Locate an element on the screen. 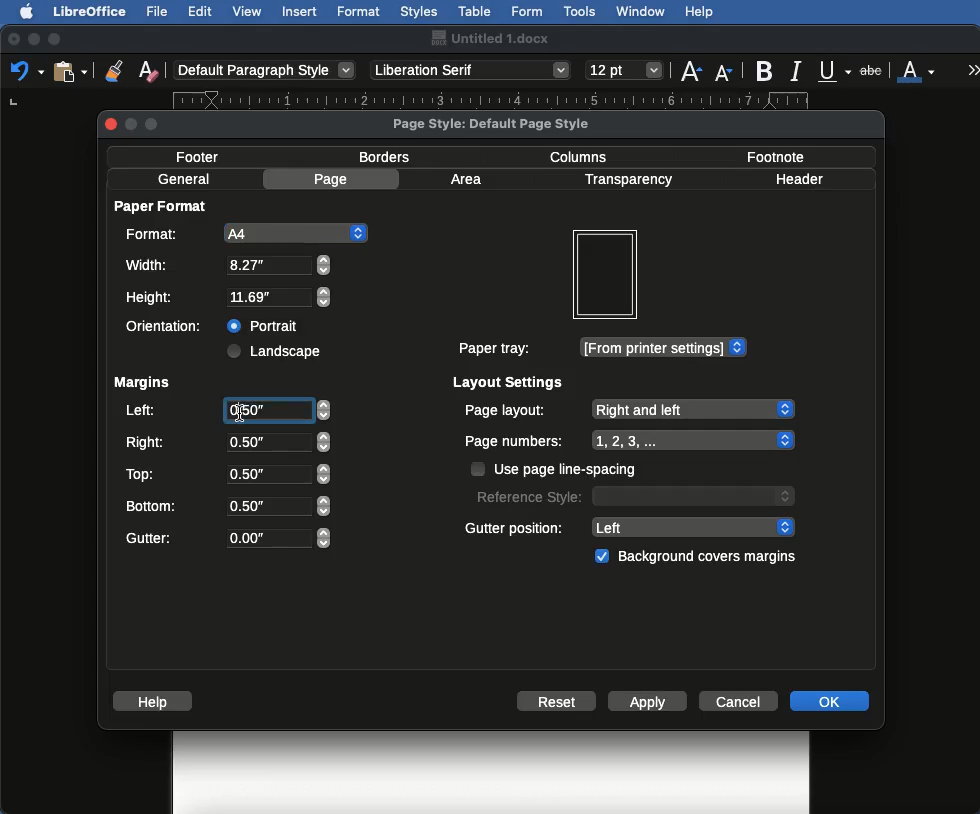 The image size is (980, 814). Help is located at coordinates (699, 12).